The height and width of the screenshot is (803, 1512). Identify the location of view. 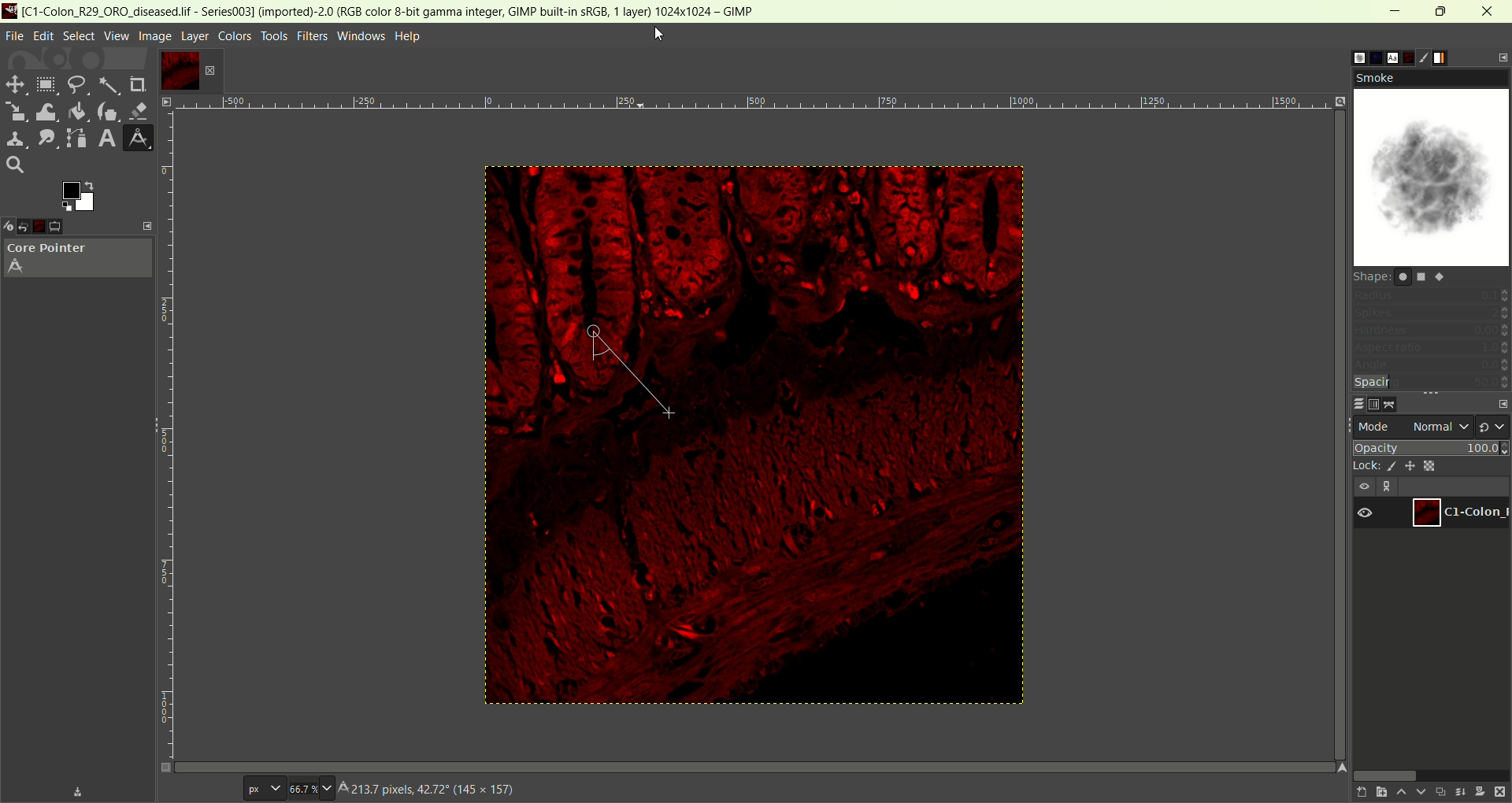
(116, 35).